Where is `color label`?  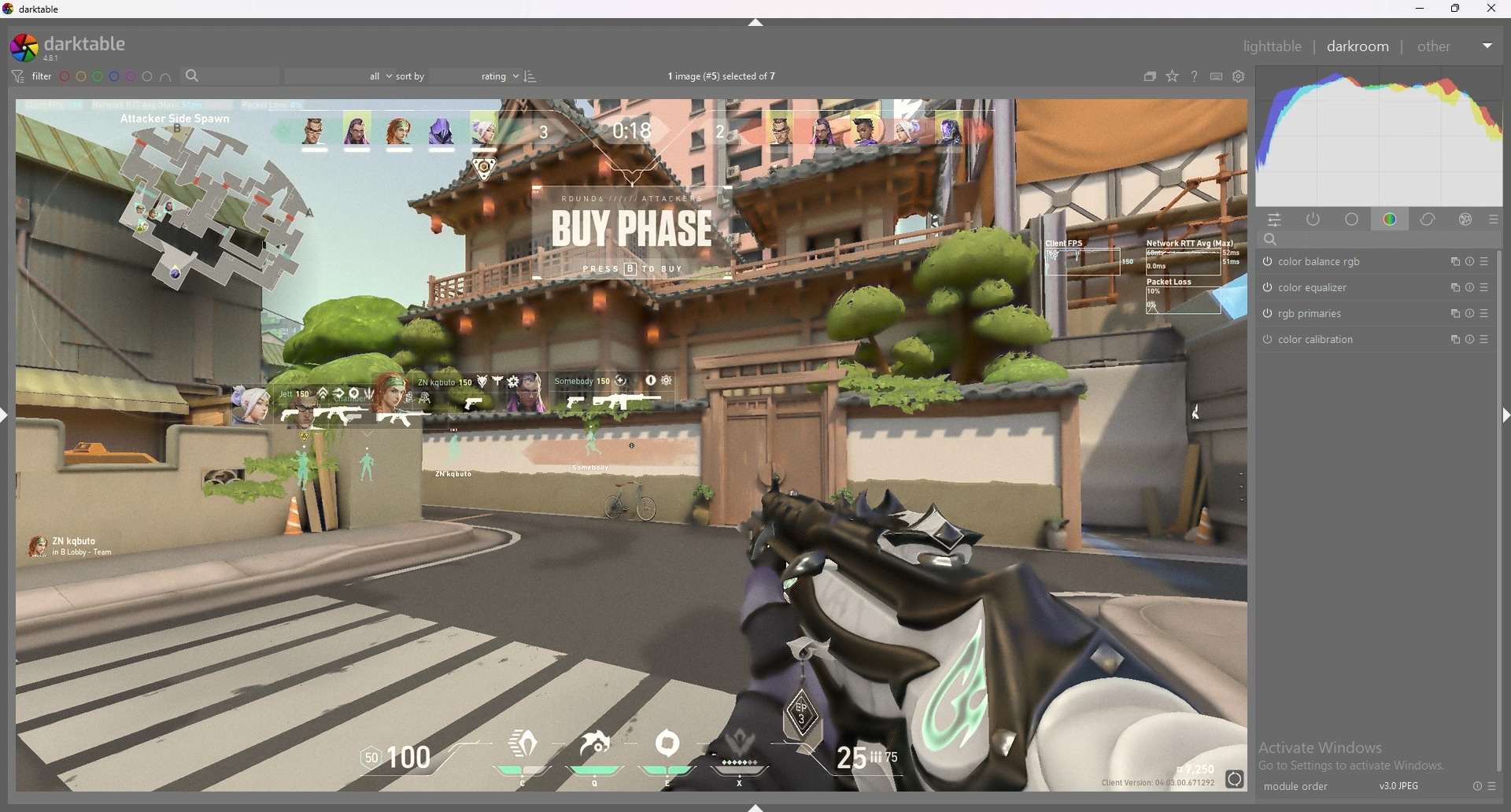 color label is located at coordinates (107, 76).